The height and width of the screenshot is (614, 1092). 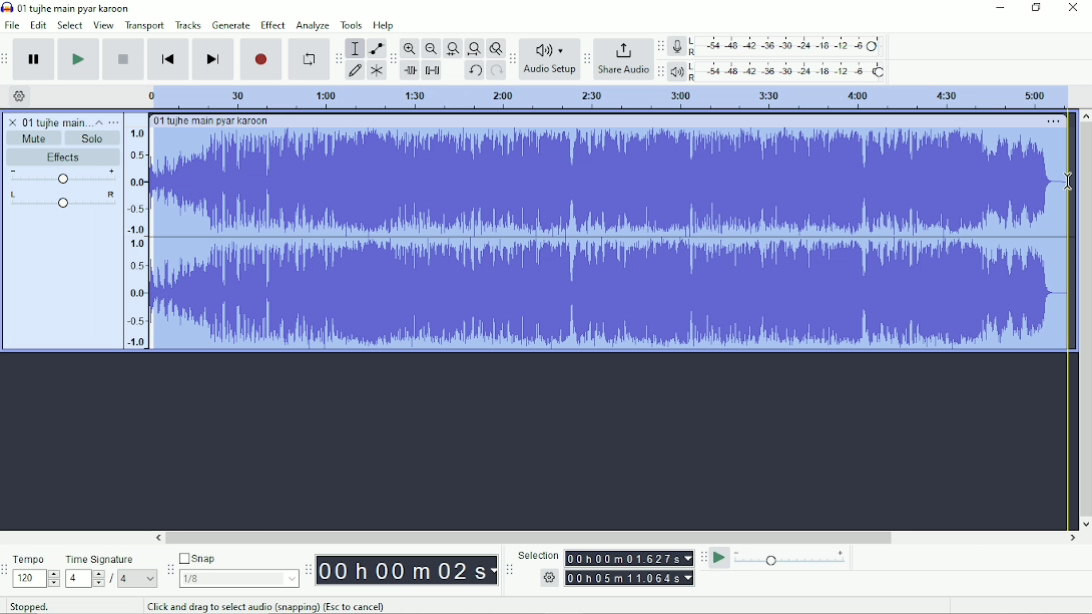 I want to click on Close, so click(x=1072, y=8).